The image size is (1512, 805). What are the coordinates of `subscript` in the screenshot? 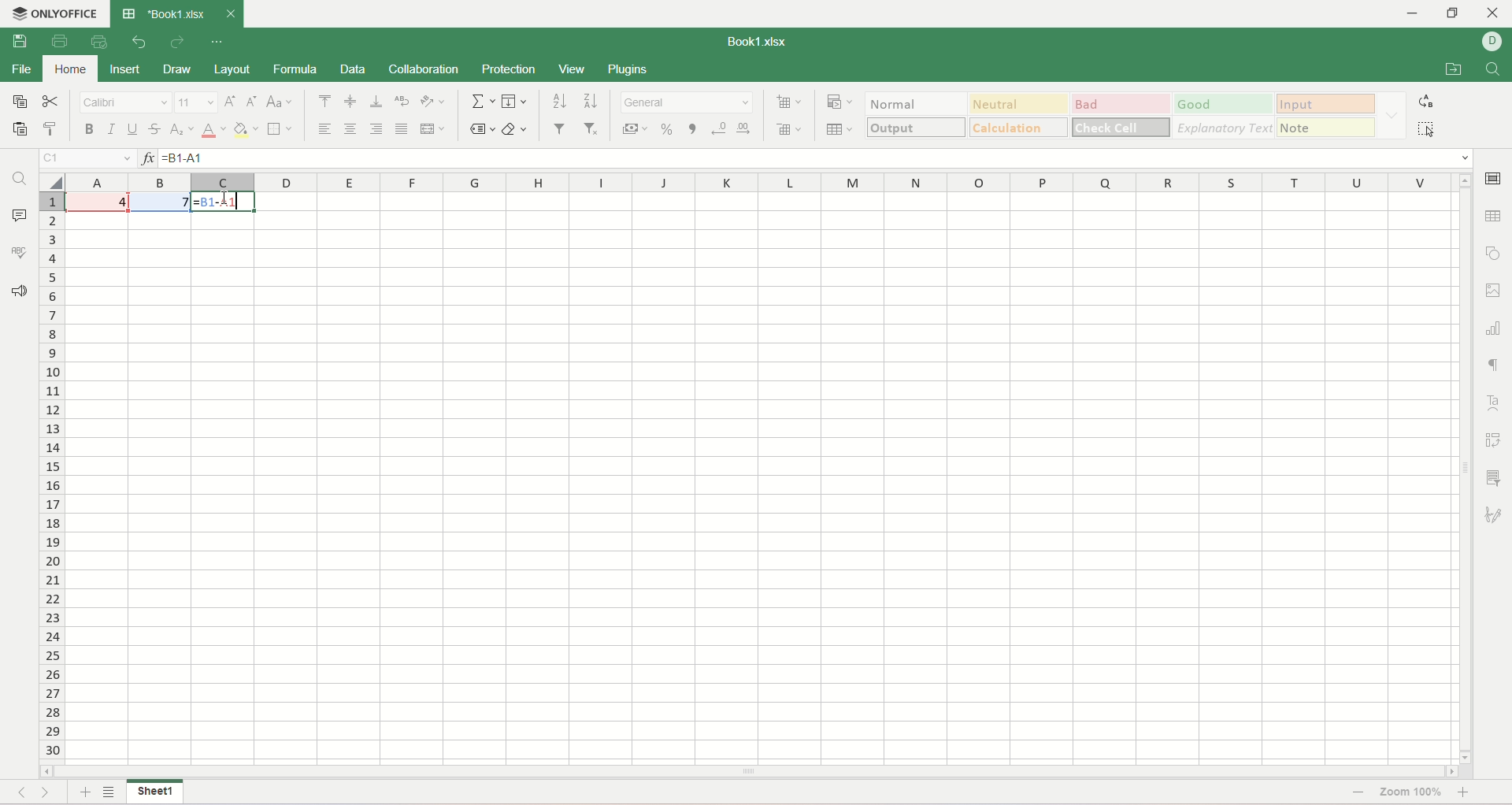 It's located at (183, 129).